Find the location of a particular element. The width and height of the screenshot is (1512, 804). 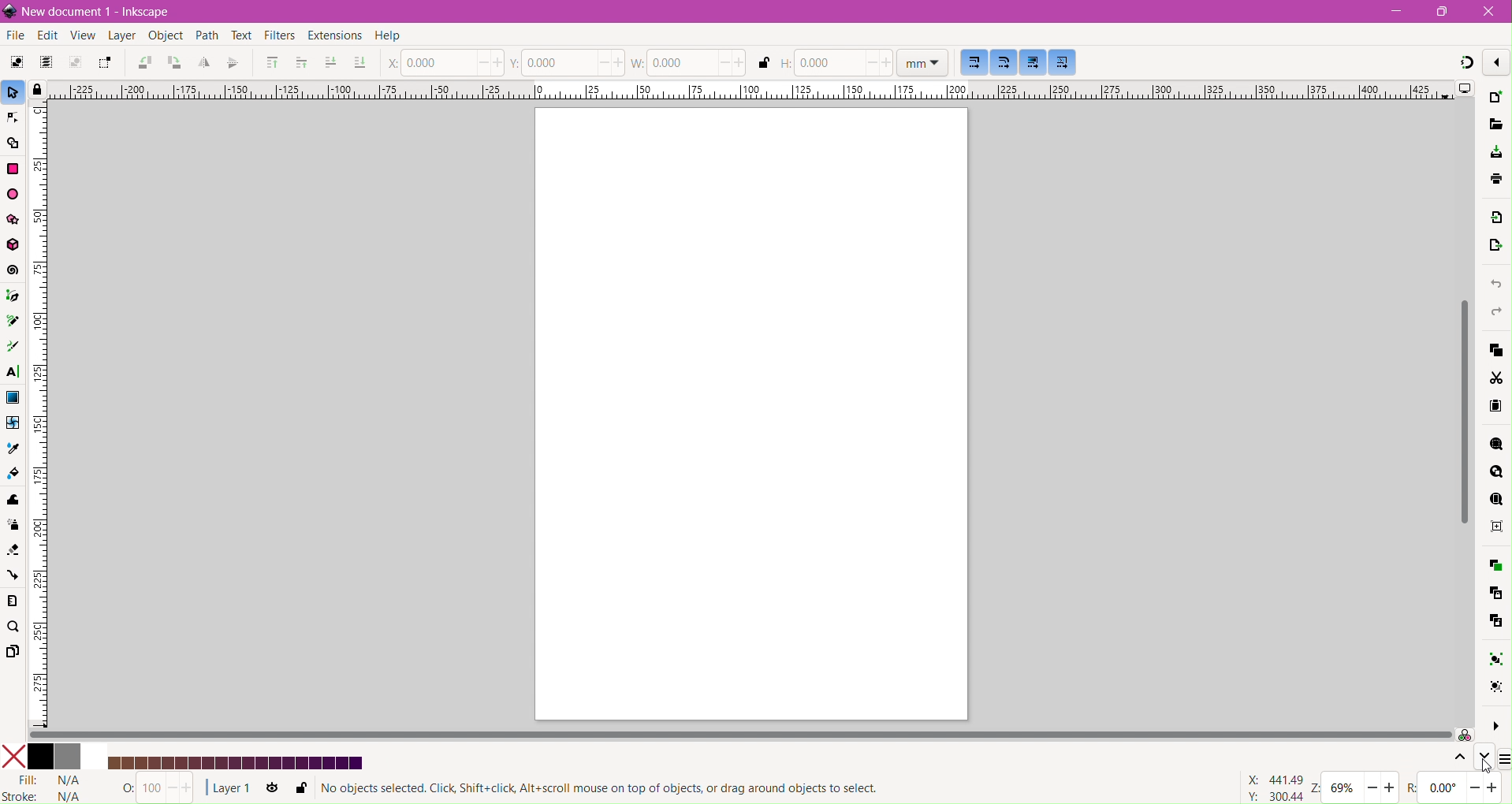

Create Clone is located at coordinates (1494, 594).